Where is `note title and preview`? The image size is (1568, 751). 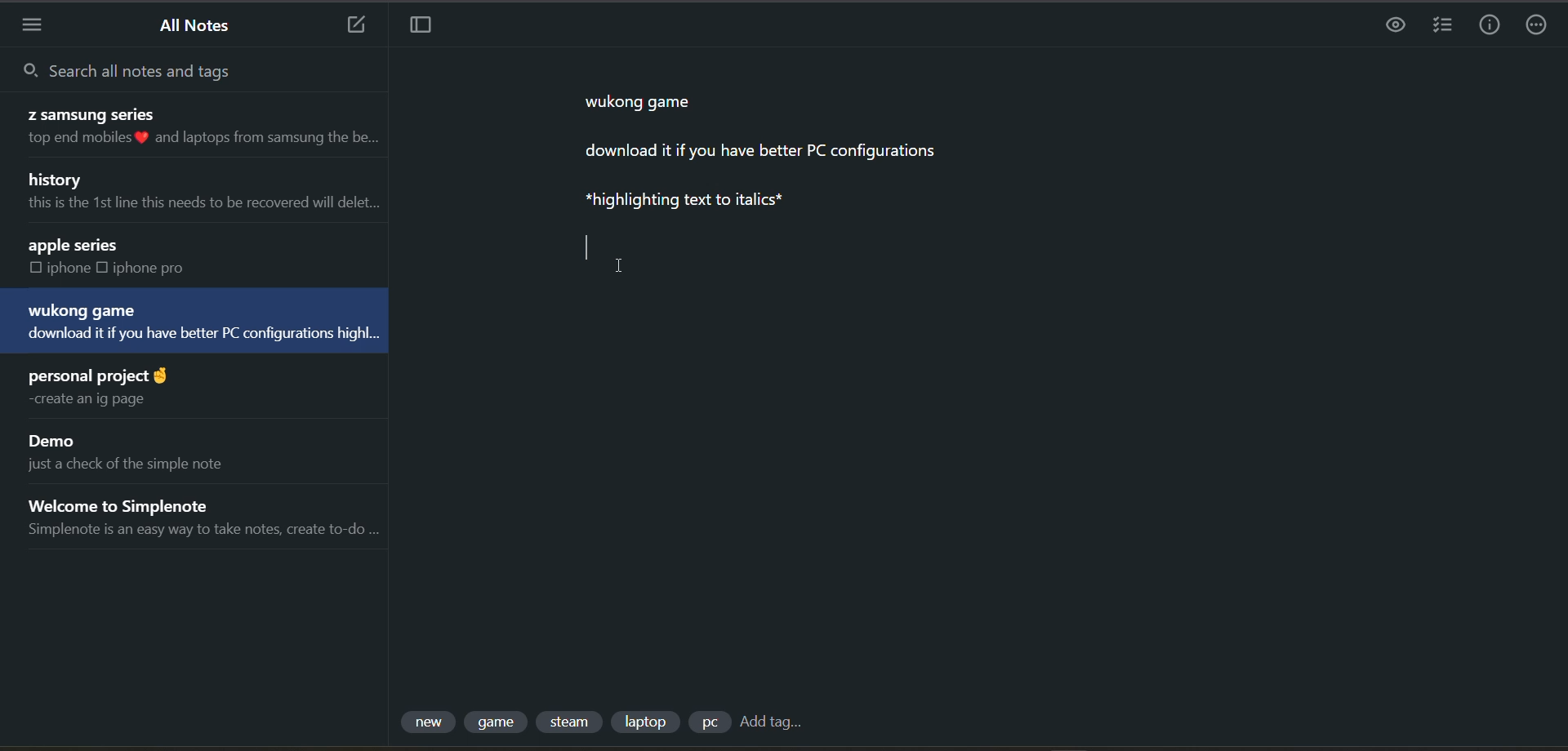 note title and preview is located at coordinates (140, 452).